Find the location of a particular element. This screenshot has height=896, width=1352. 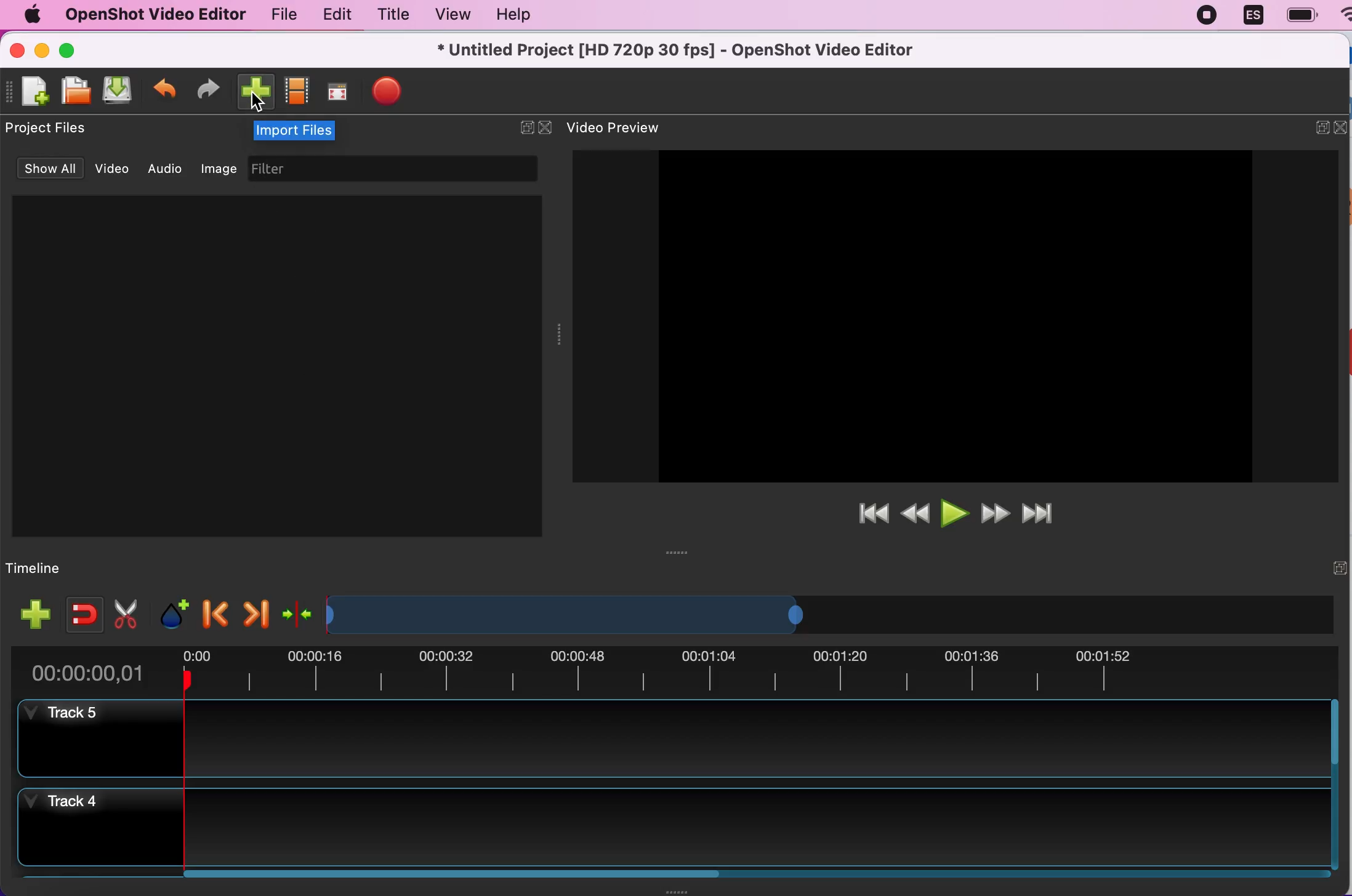

timeline is located at coordinates (774, 614).